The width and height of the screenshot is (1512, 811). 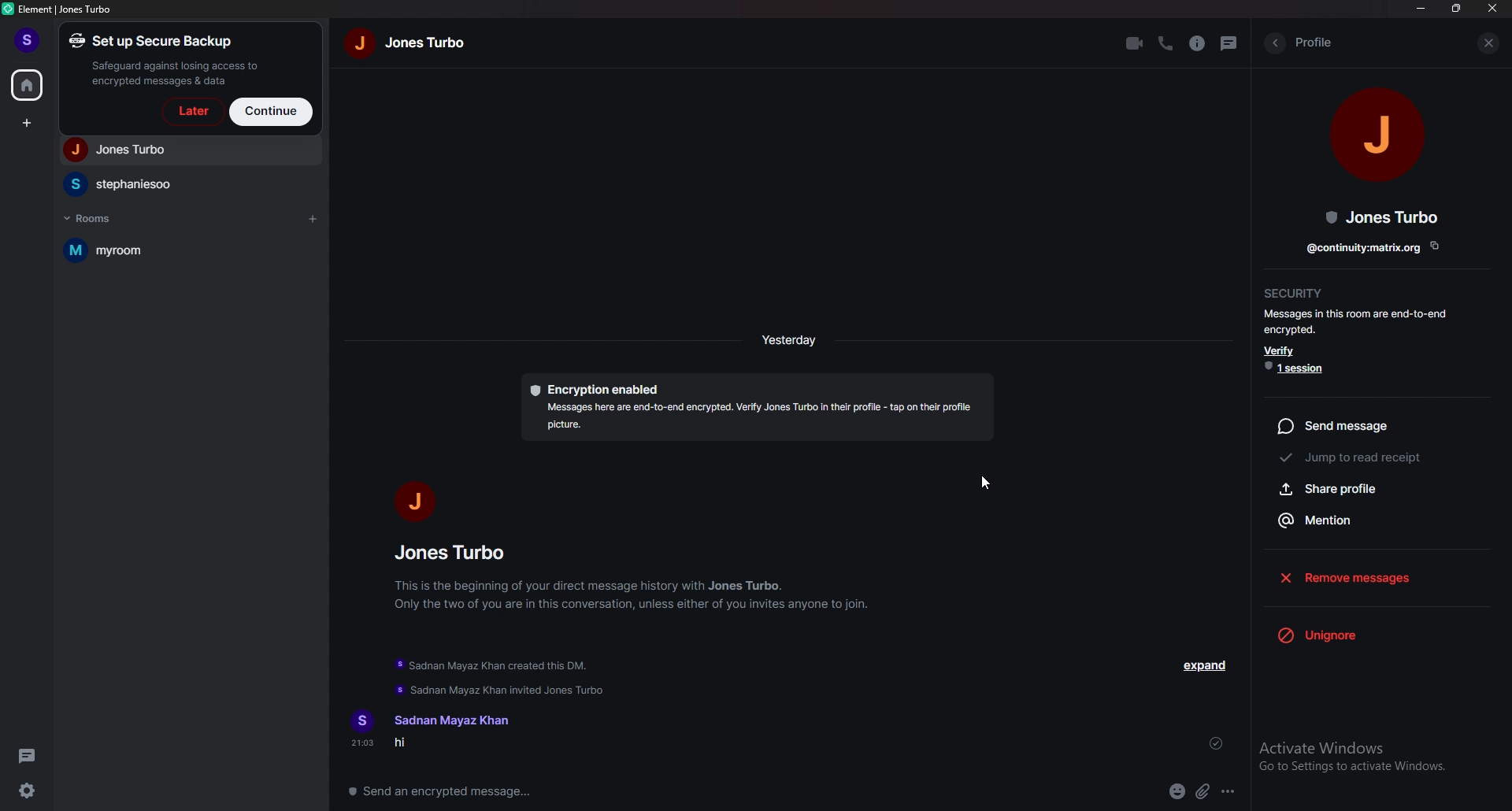 What do you see at coordinates (1206, 665) in the screenshot?
I see `expand` at bounding box center [1206, 665].